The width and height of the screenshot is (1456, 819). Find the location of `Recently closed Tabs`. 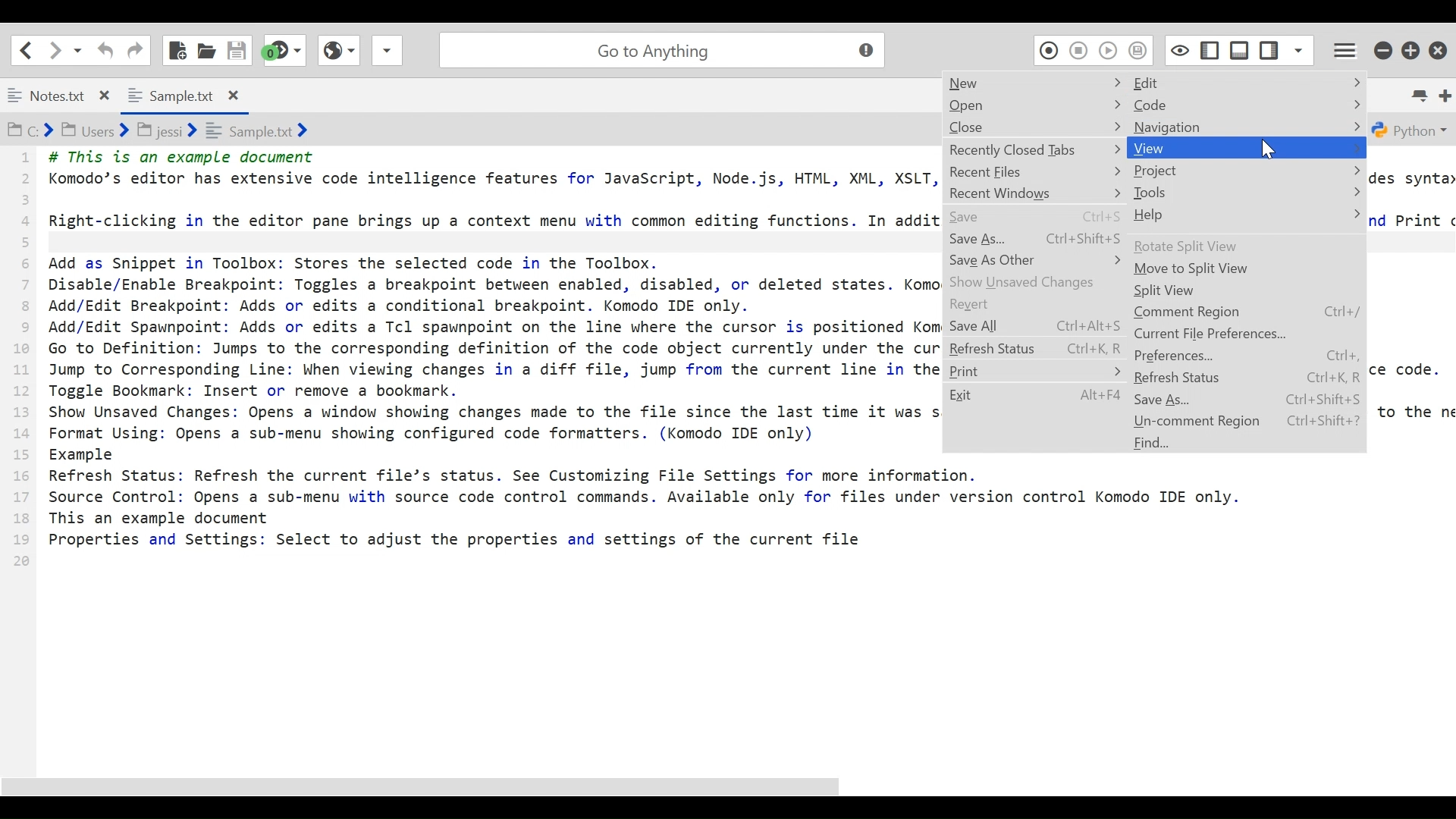

Recently closed Tabs is located at coordinates (1037, 149).